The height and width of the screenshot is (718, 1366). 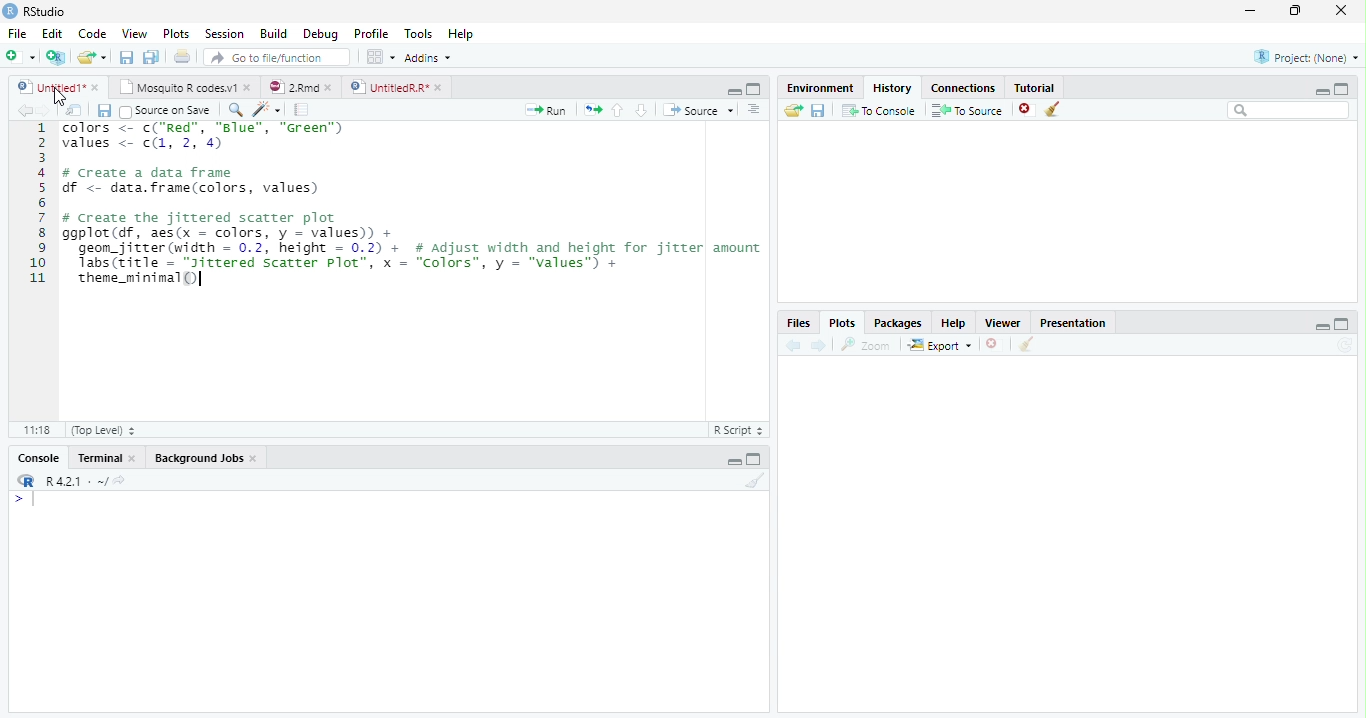 What do you see at coordinates (698, 110) in the screenshot?
I see `Source` at bounding box center [698, 110].